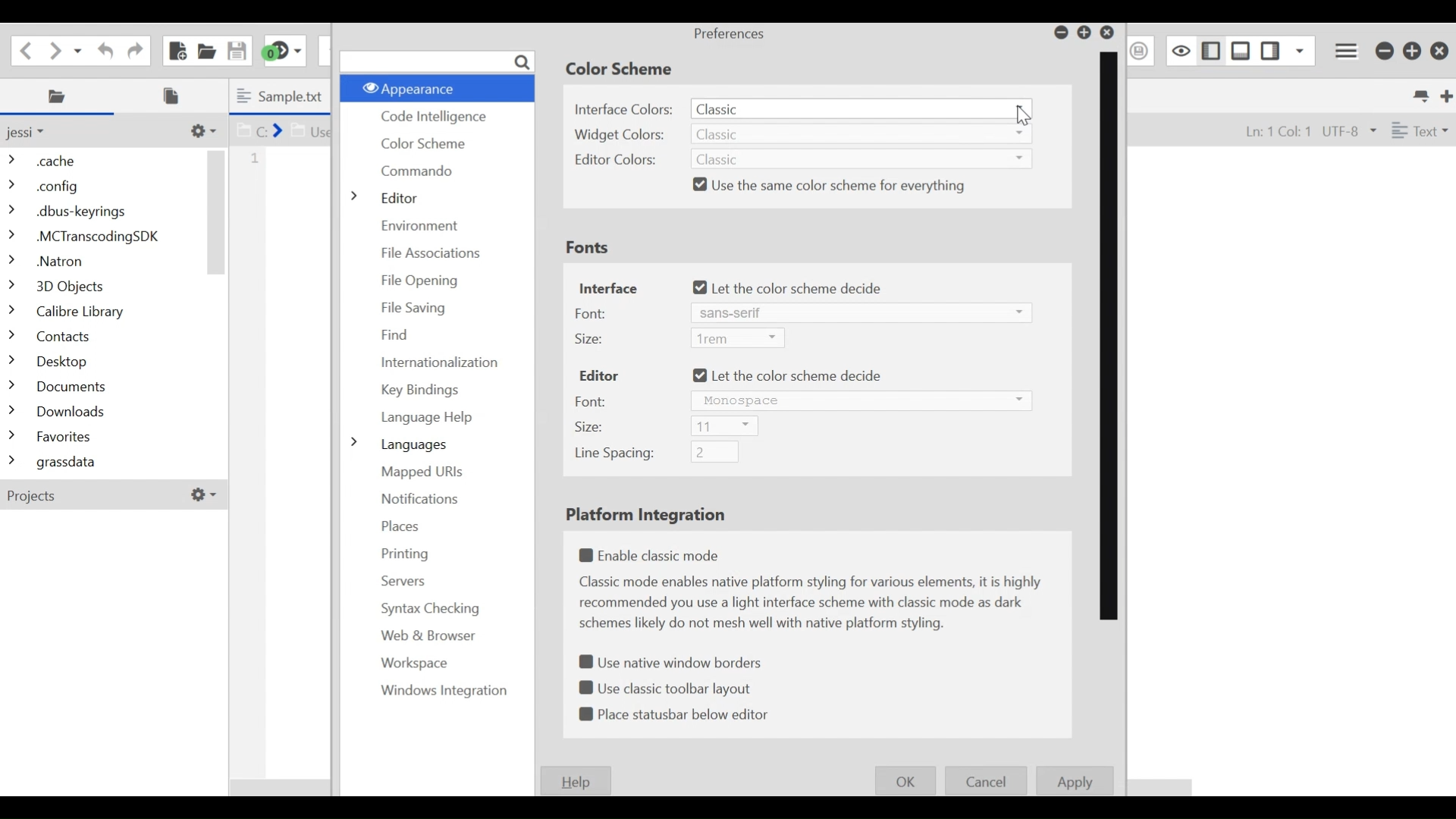  I want to click on Widget Colors, so click(623, 135).